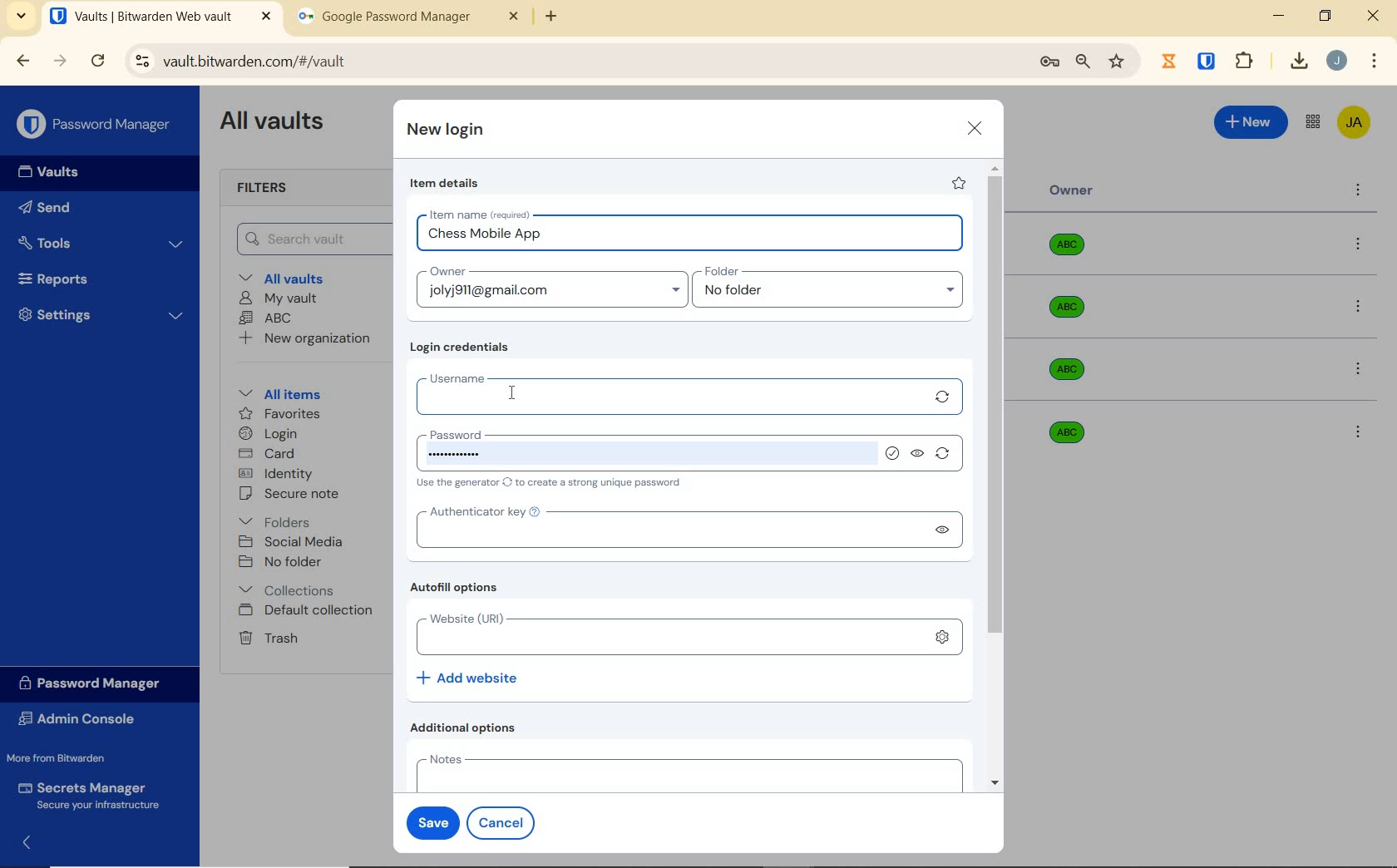 The image size is (1397, 868). I want to click on forward, so click(61, 61).